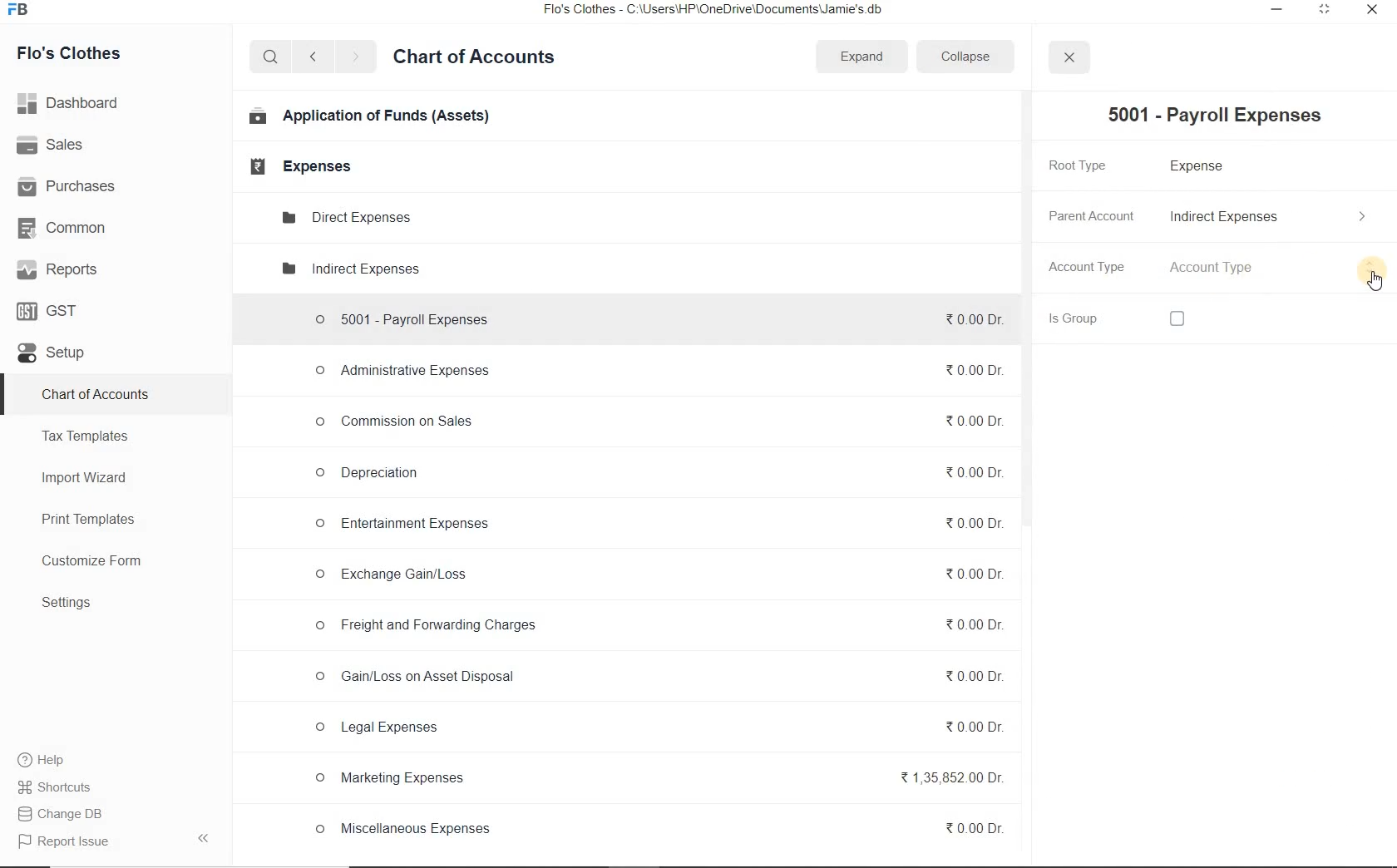  I want to click on Direct Expense, so click(344, 216).